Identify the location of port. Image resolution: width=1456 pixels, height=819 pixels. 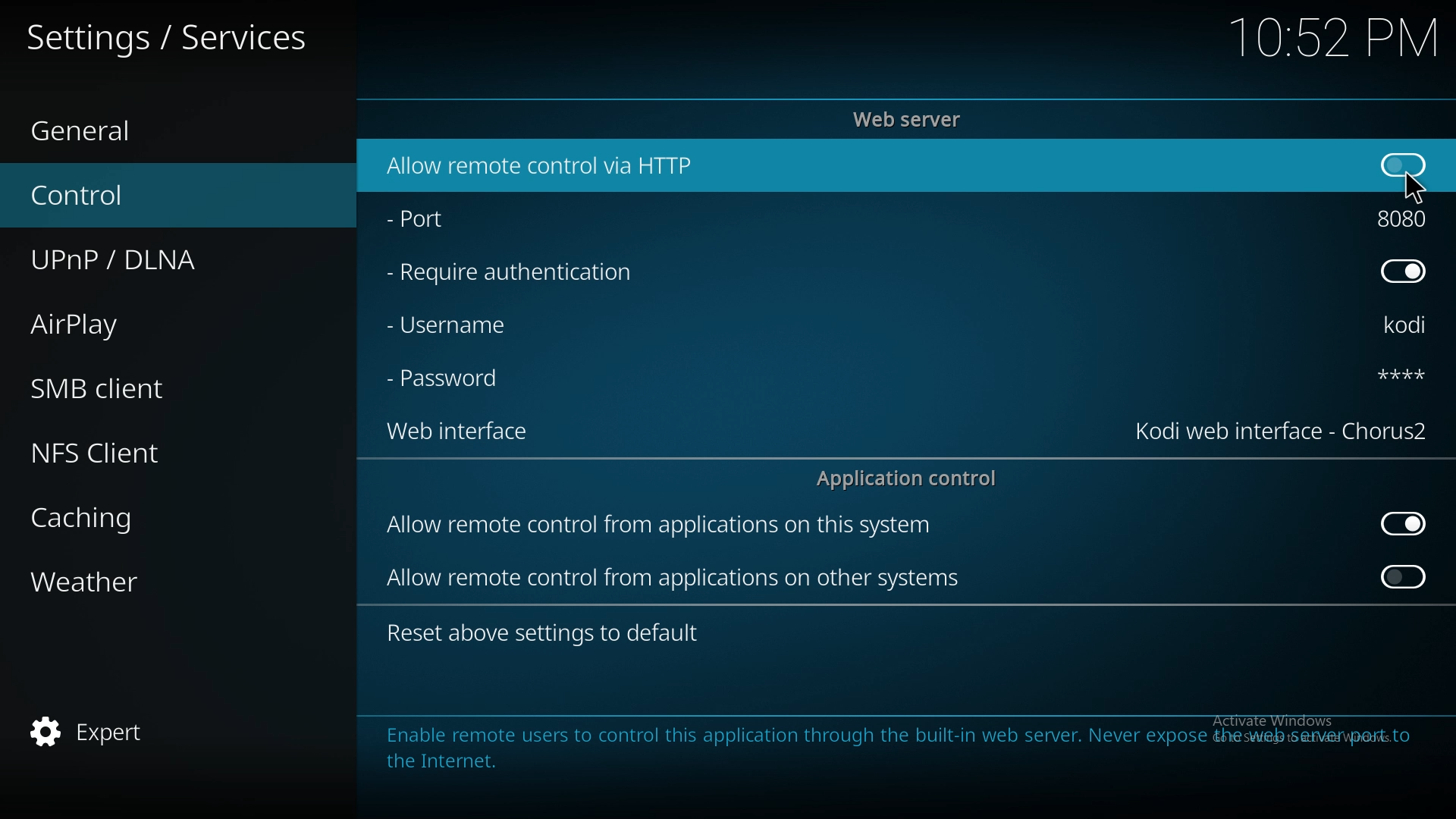
(453, 221).